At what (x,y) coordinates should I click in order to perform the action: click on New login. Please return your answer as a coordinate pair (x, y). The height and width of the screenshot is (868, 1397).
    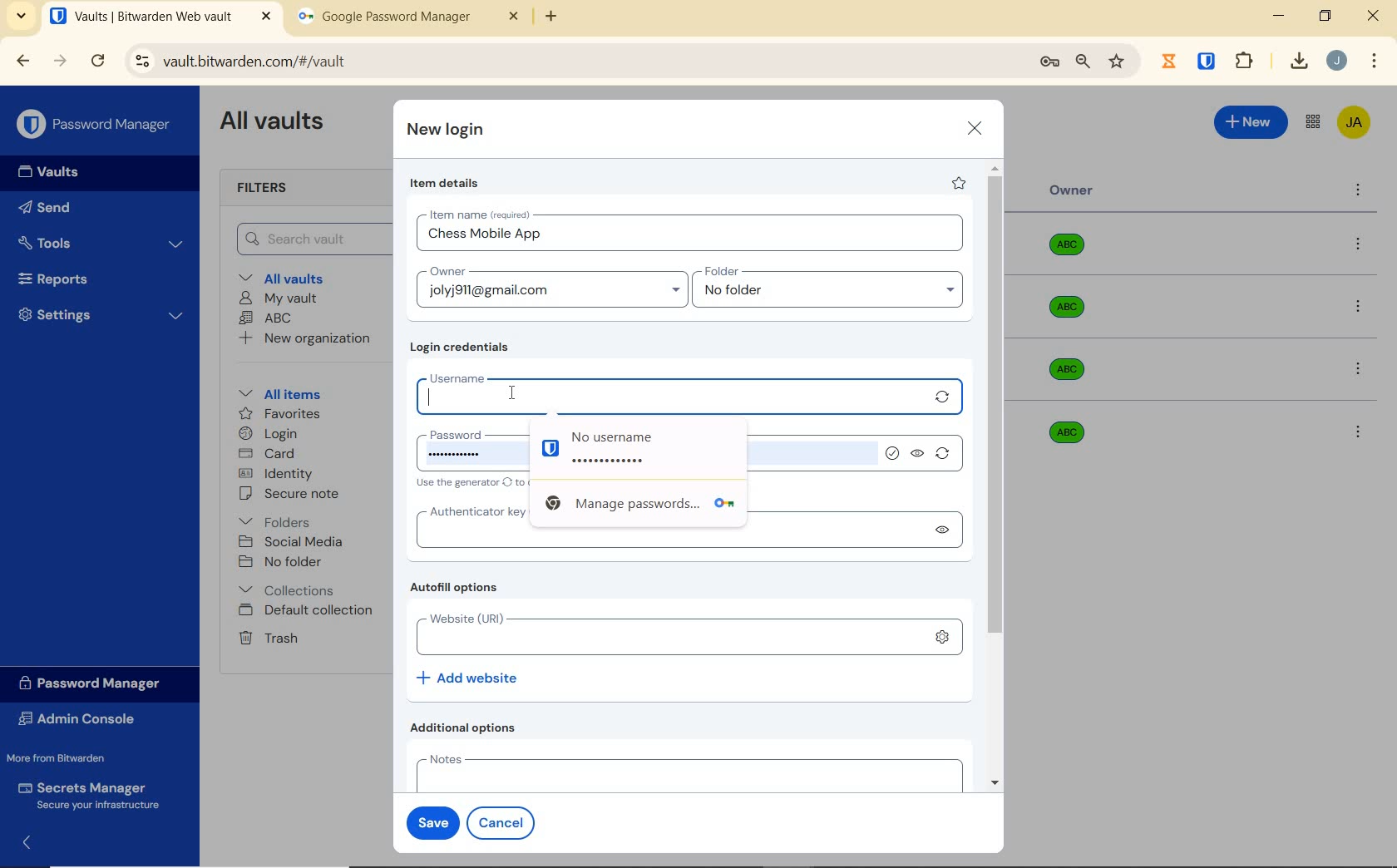
    Looking at the image, I should click on (447, 131).